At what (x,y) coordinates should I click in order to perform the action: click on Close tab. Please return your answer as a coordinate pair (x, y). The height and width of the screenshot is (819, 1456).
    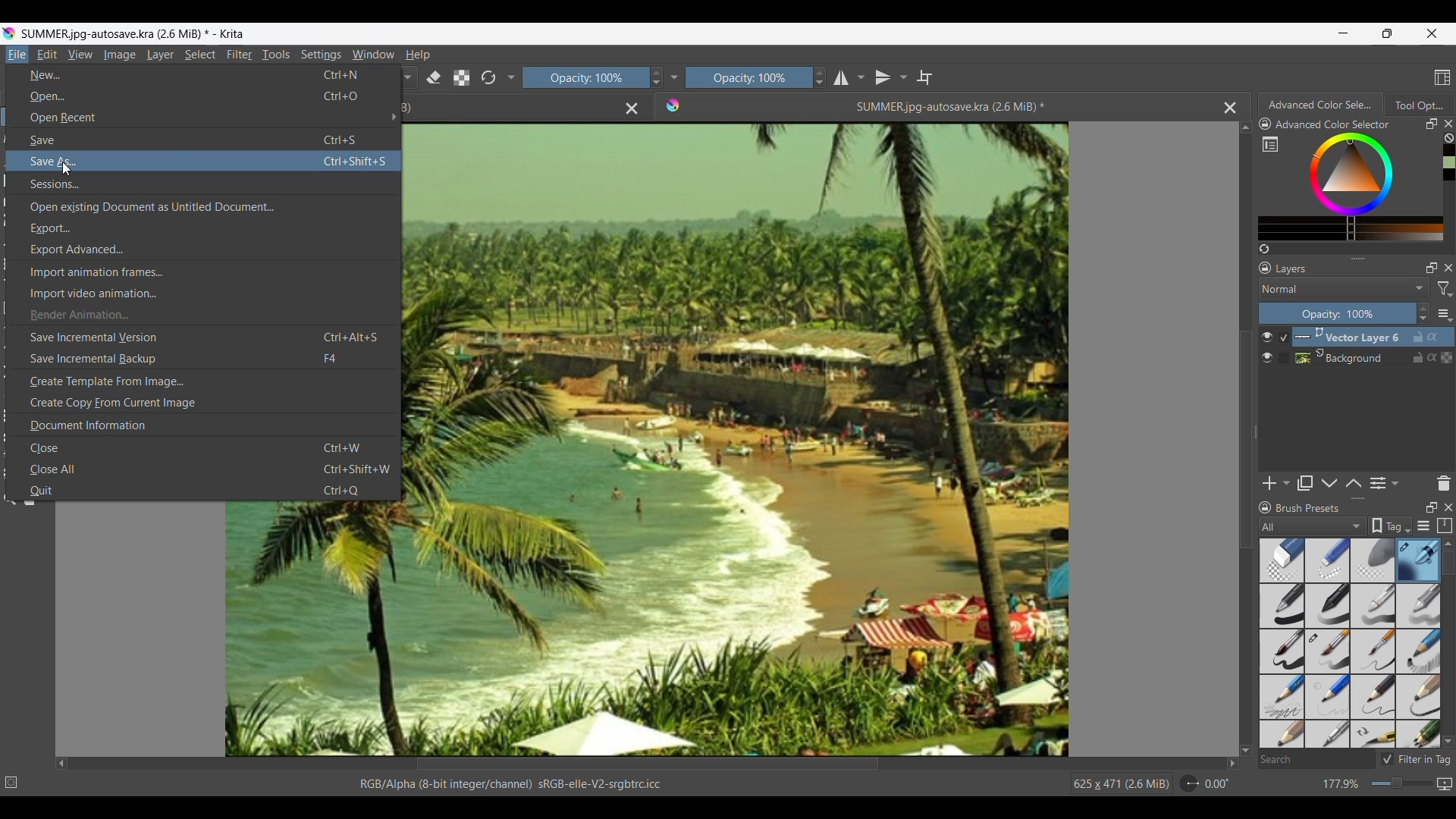
    Looking at the image, I should click on (1448, 124).